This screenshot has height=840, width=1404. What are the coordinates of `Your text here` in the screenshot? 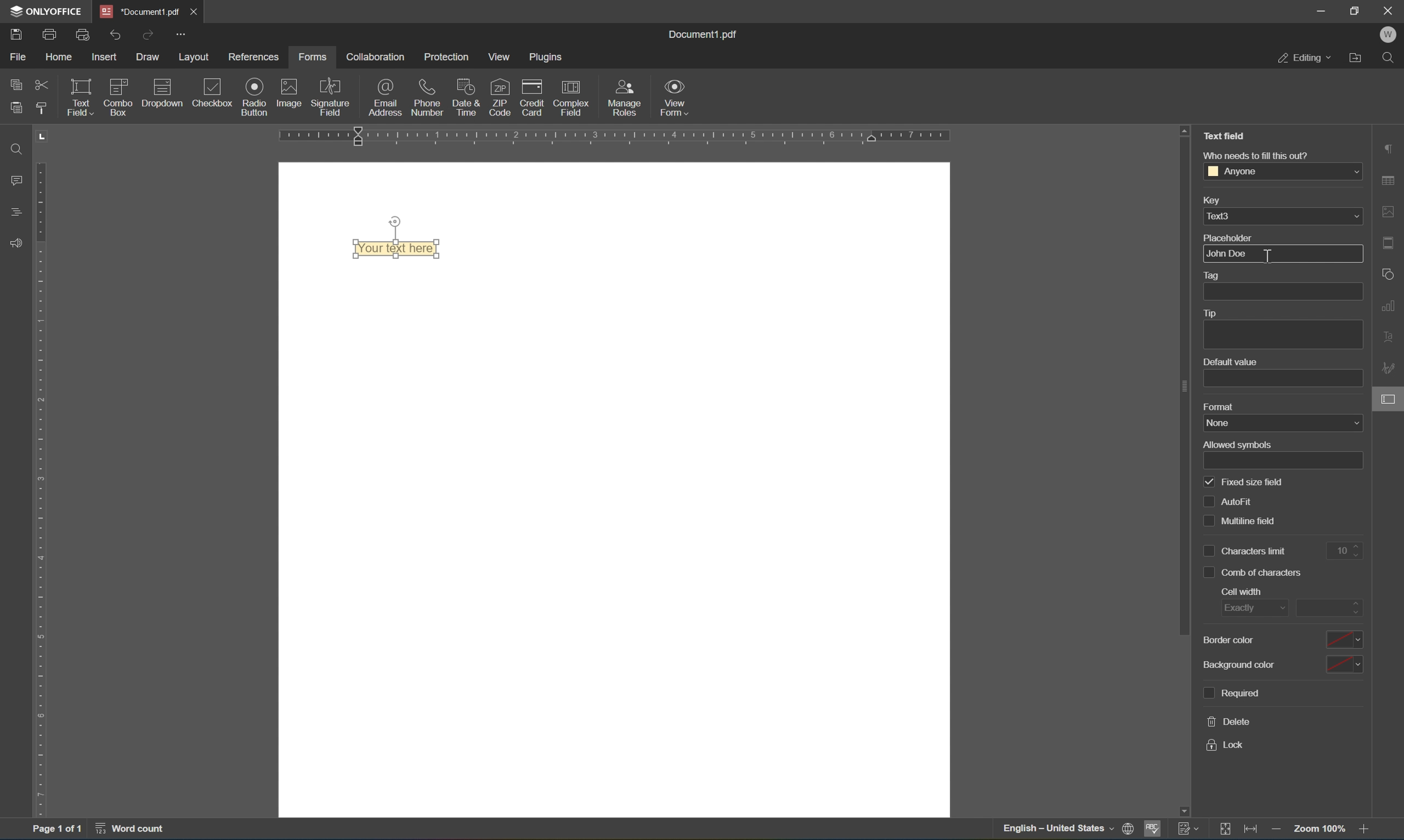 It's located at (397, 248).